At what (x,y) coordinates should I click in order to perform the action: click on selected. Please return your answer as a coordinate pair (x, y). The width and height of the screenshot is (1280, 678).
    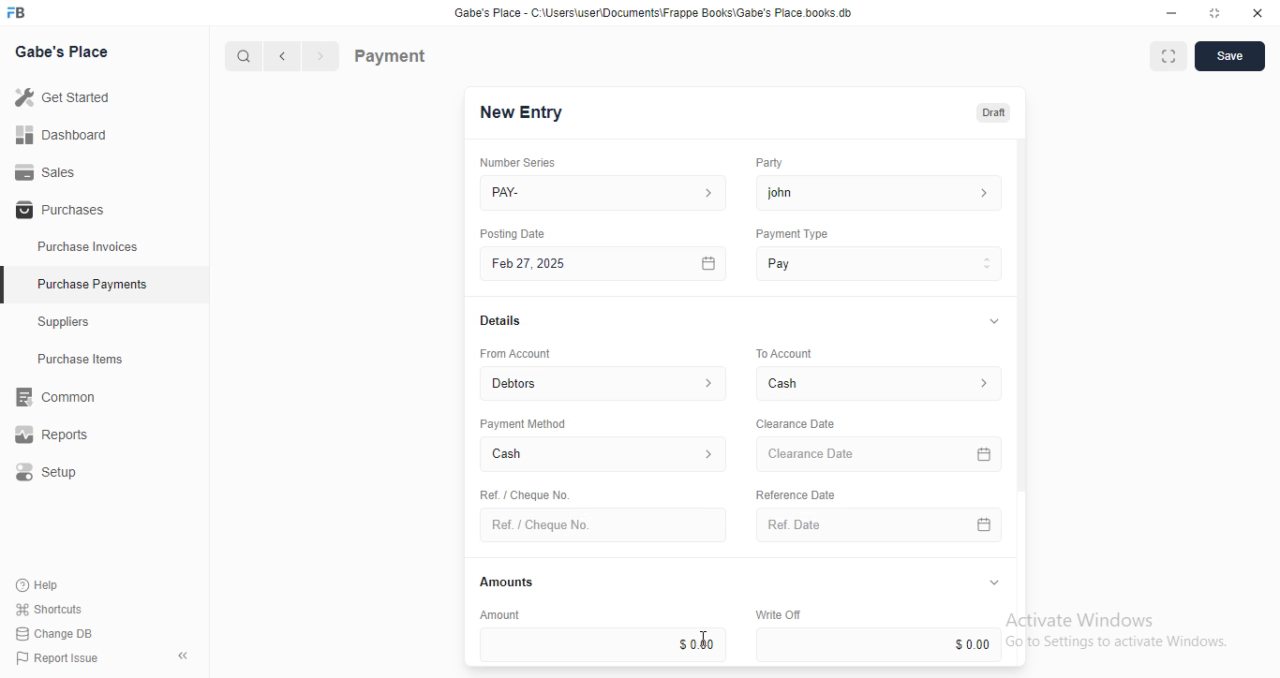
    Looking at the image, I should click on (8, 287).